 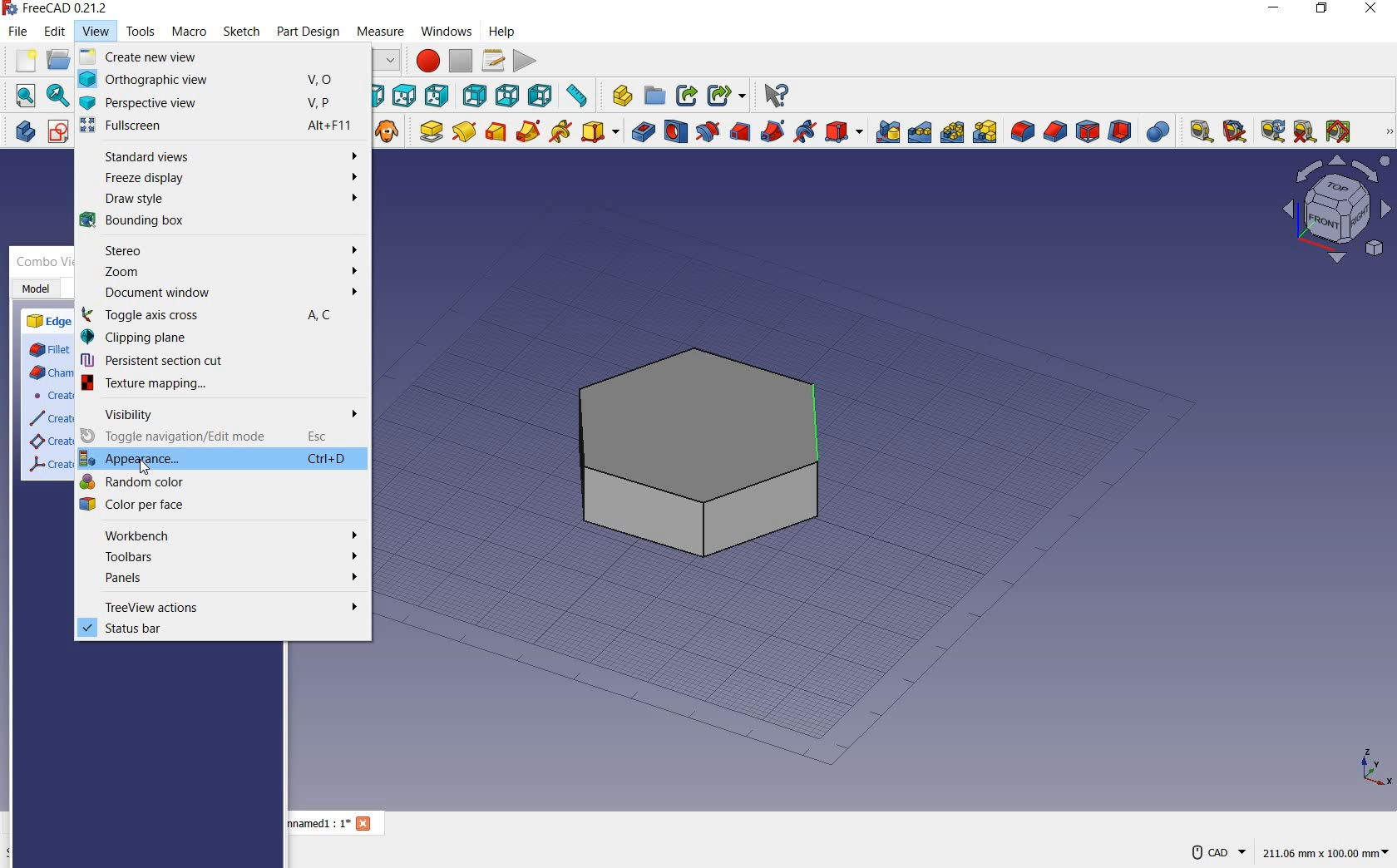 I want to click on create a datum point, so click(x=50, y=396).